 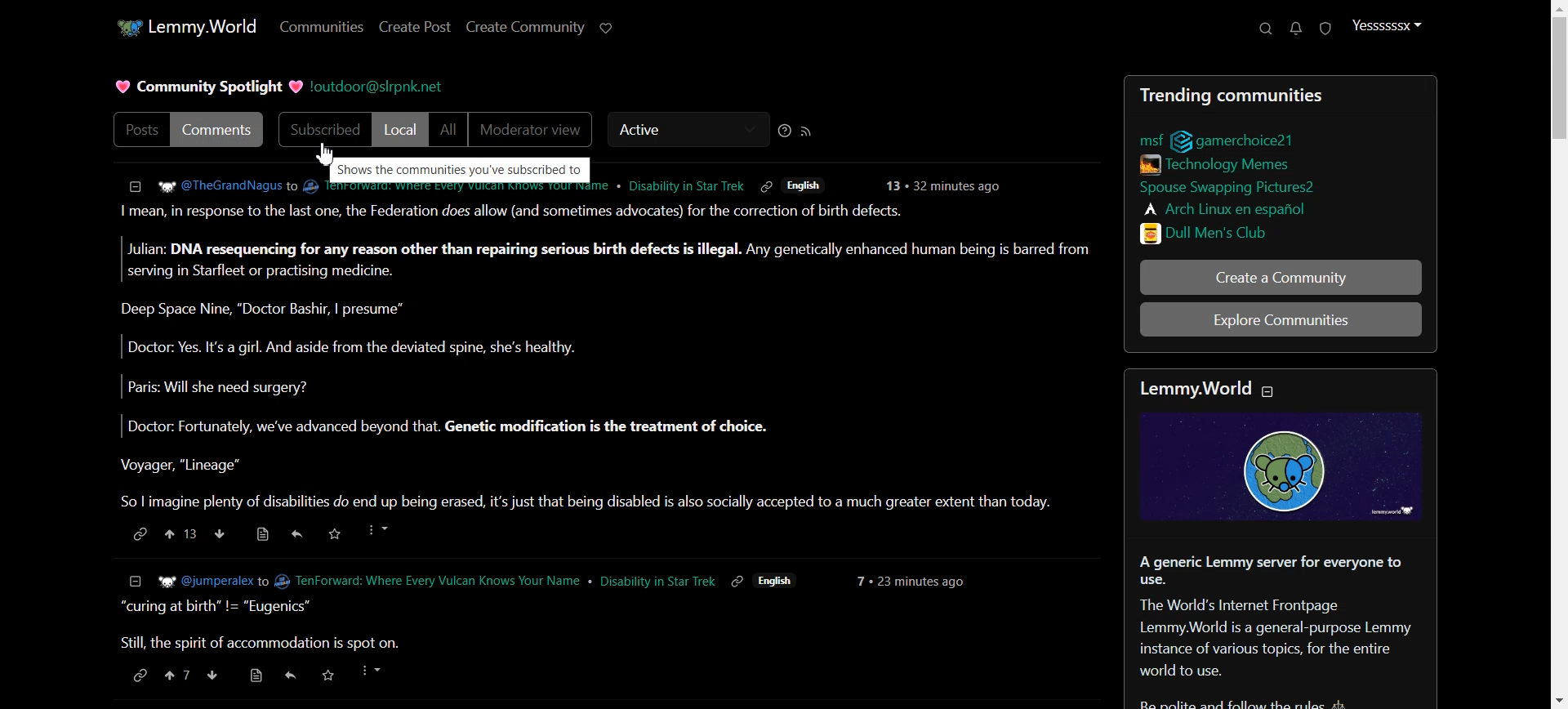 I want to click on Local, so click(x=400, y=130).